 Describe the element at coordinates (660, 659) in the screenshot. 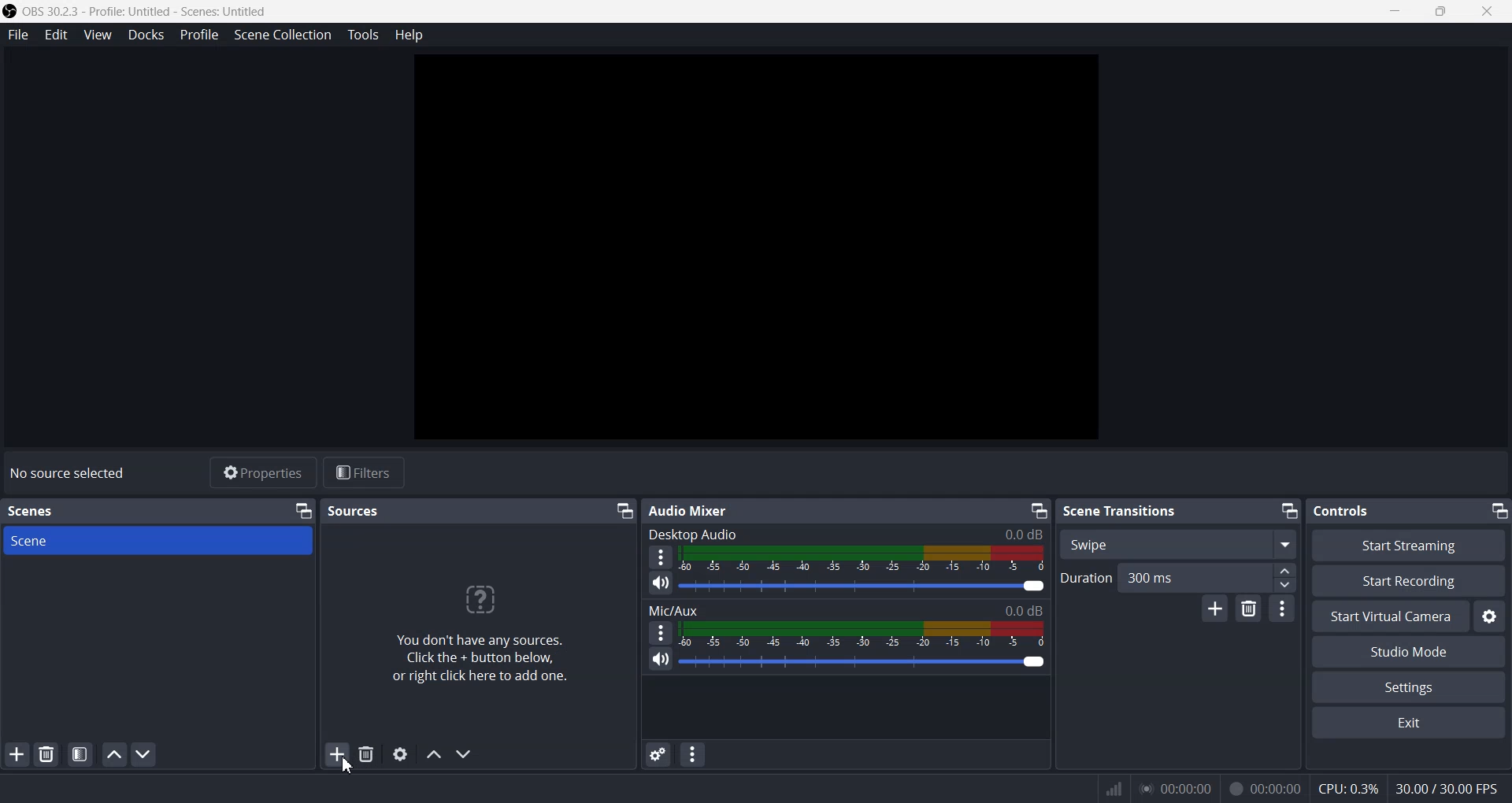

I see `Mute/ Unmute` at that location.